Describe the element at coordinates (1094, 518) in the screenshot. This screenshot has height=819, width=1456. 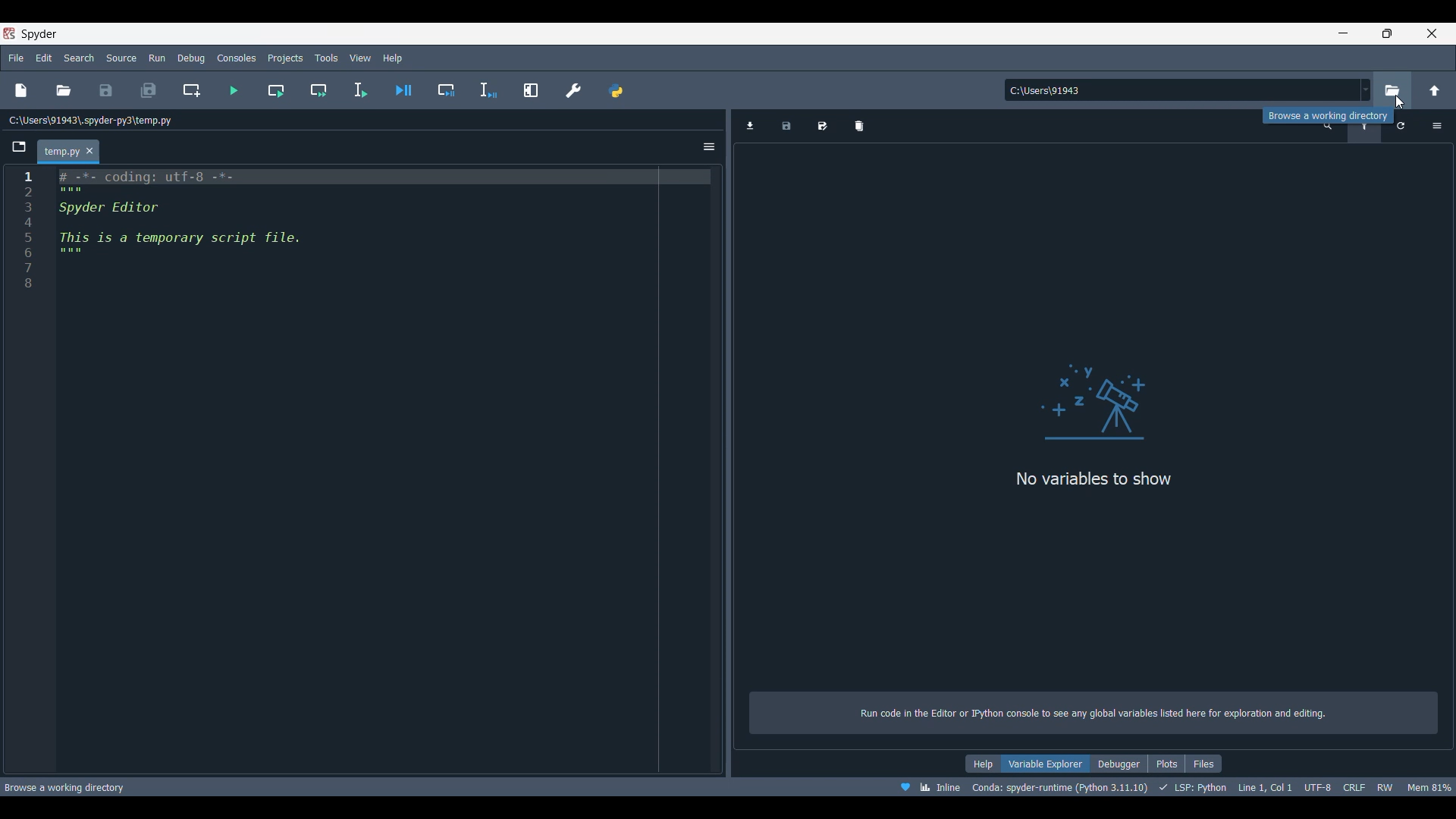
I see `Logo and description of pane` at that location.